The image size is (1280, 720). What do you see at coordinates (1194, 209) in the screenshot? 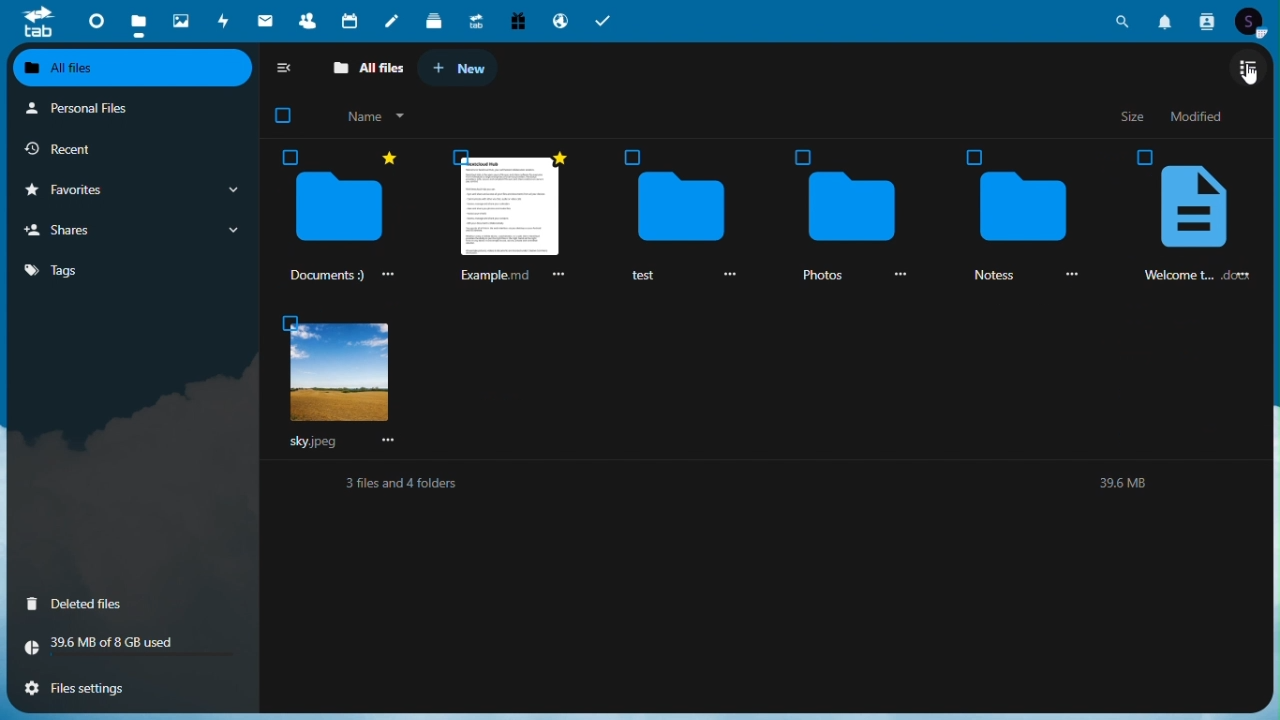
I see `file` at bounding box center [1194, 209].